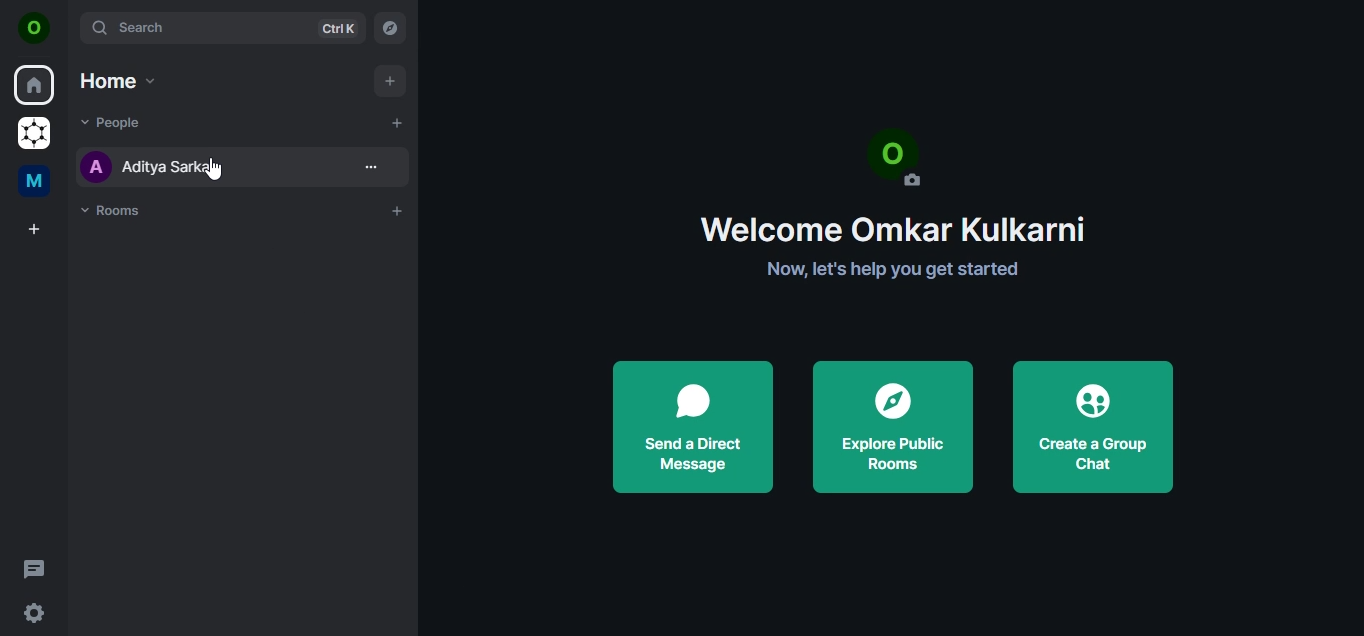 The image size is (1364, 636). Describe the element at coordinates (226, 28) in the screenshot. I see `search ` at that location.